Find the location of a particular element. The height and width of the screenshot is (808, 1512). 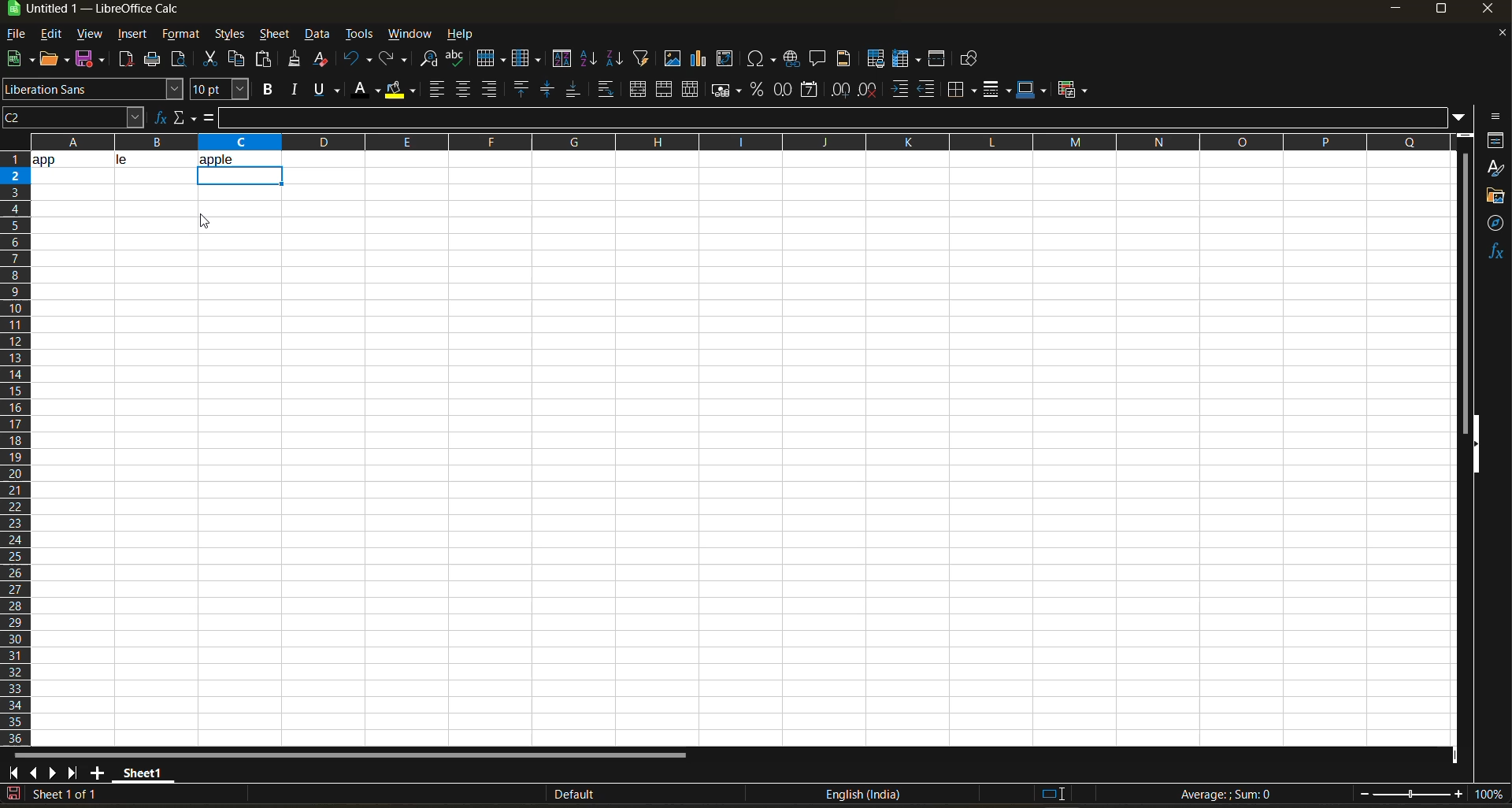

save is located at coordinates (93, 57).